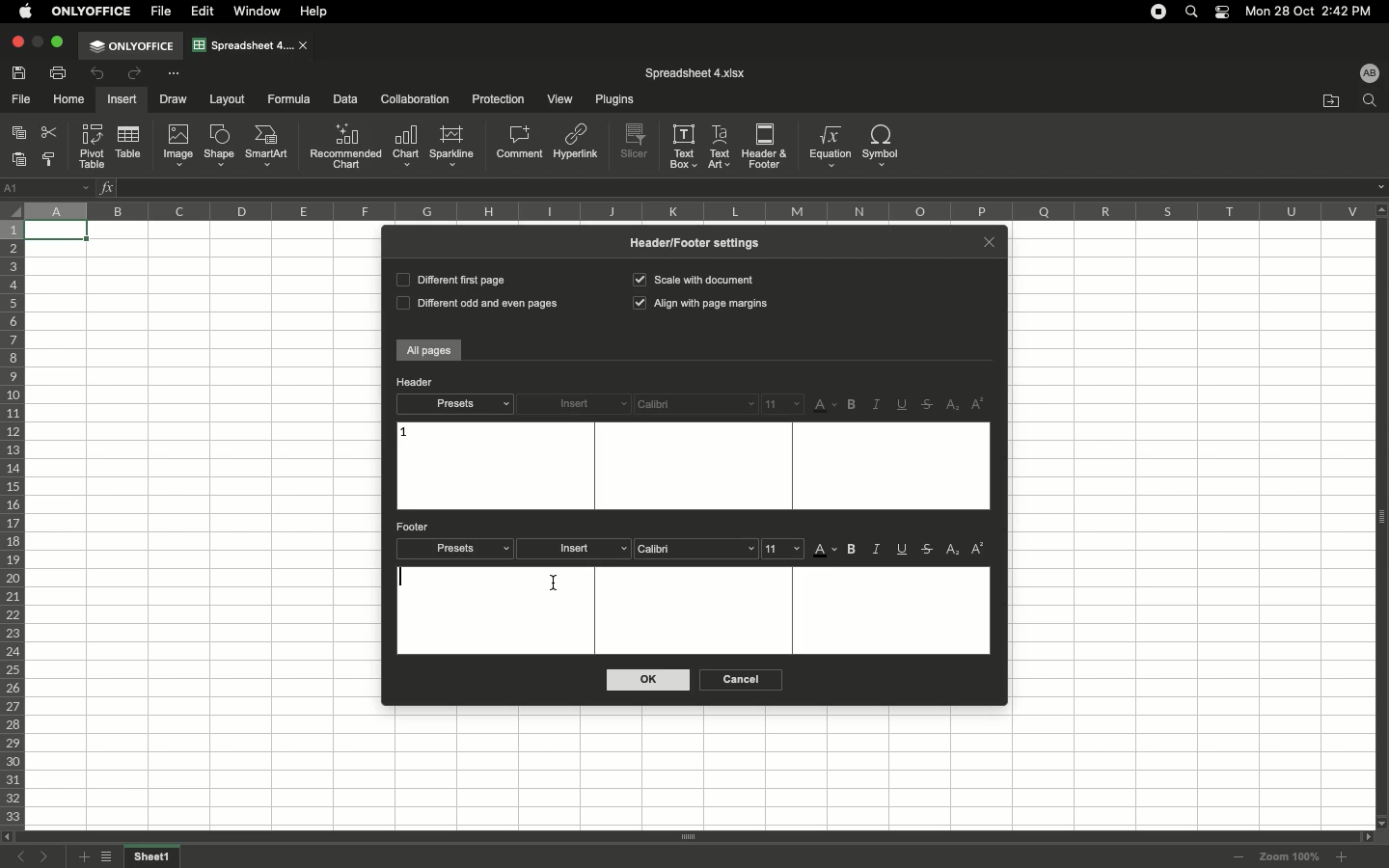 This screenshot has width=1389, height=868. I want to click on menu, so click(784, 548).